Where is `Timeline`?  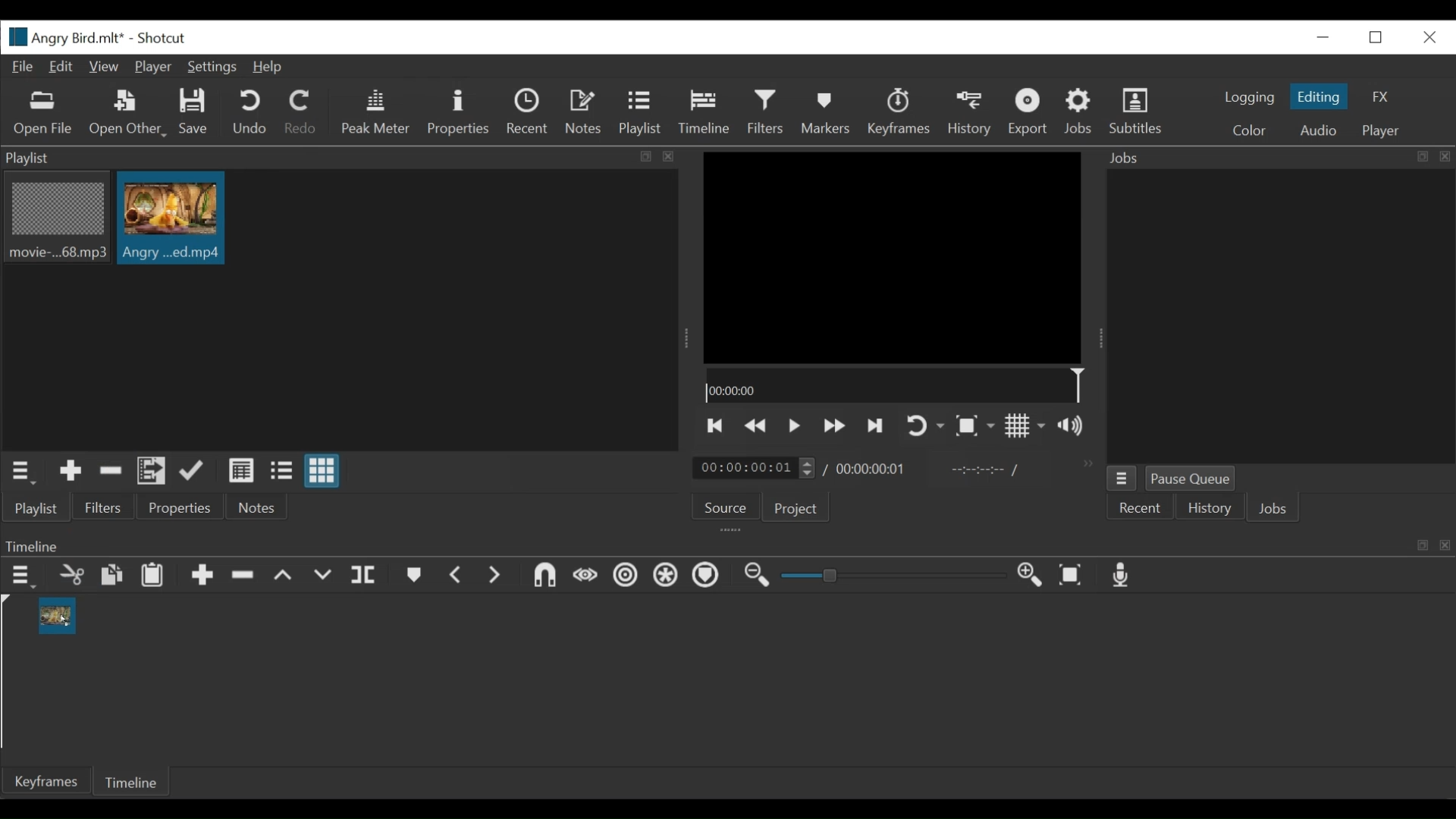
Timeline is located at coordinates (727, 543).